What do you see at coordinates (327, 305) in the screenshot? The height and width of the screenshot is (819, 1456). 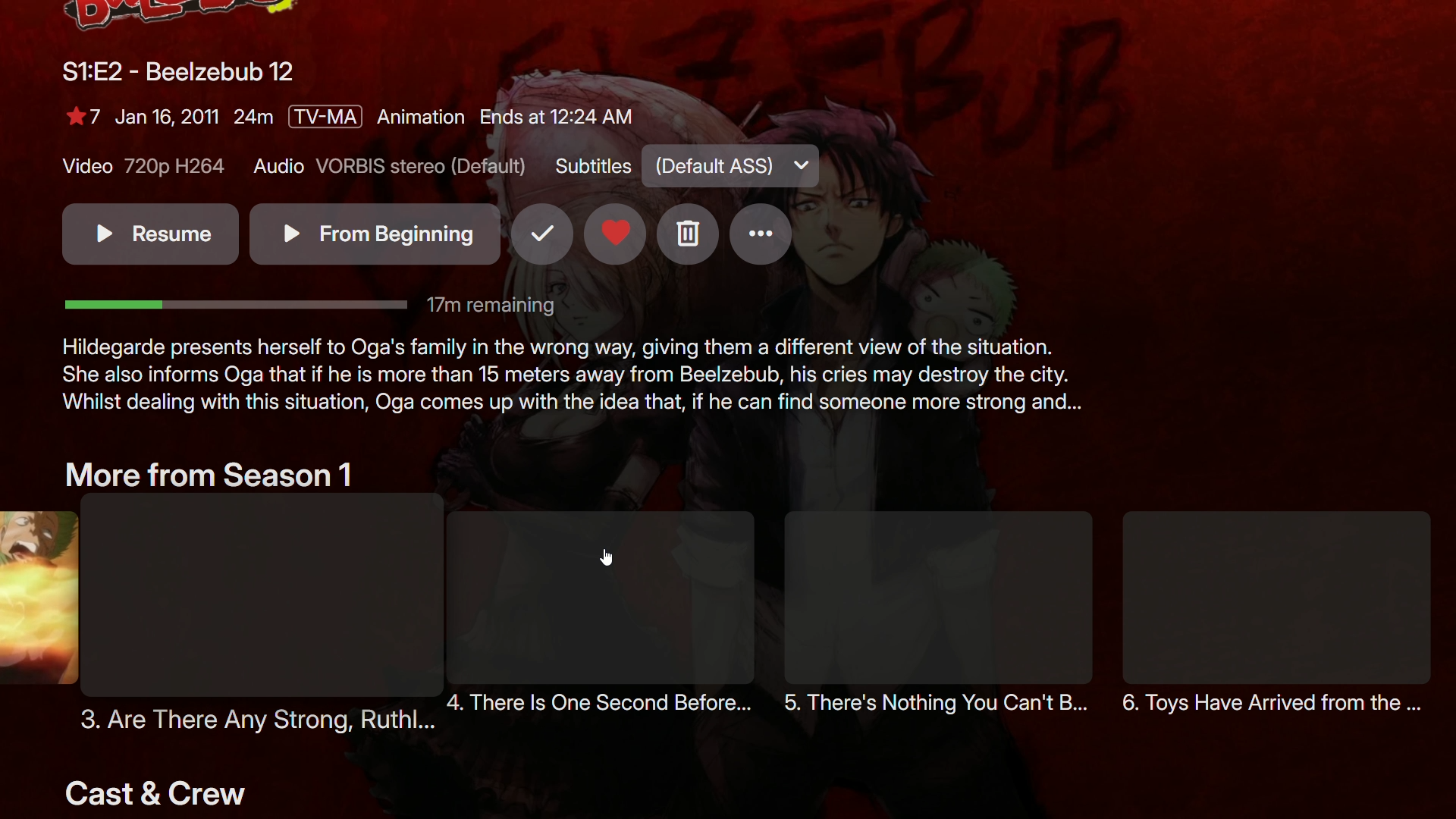 I see `Time bar` at bounding box center [327, 305].